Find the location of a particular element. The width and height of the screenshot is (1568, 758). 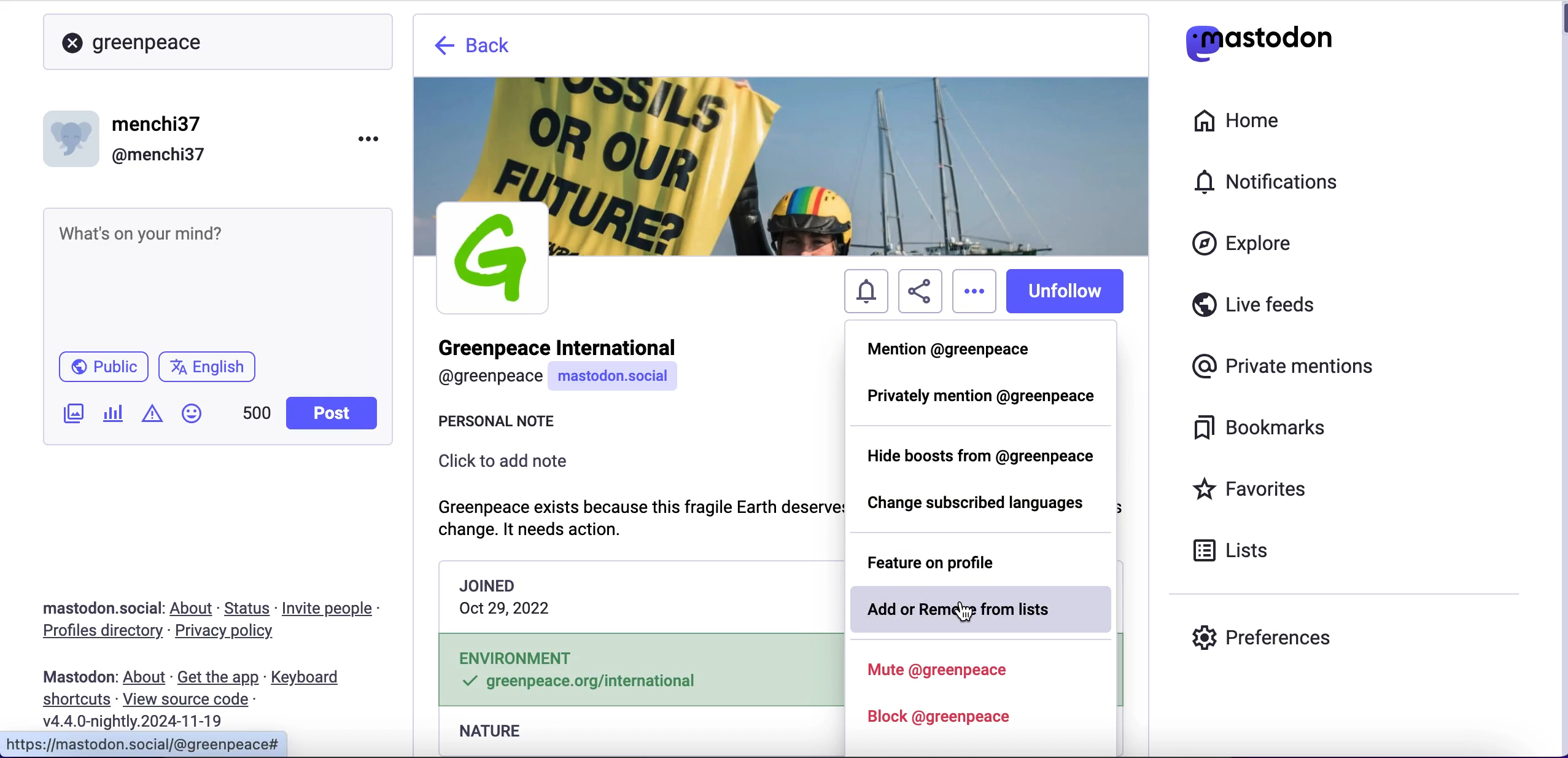

greenpeace is located at coordinates (153, 42).